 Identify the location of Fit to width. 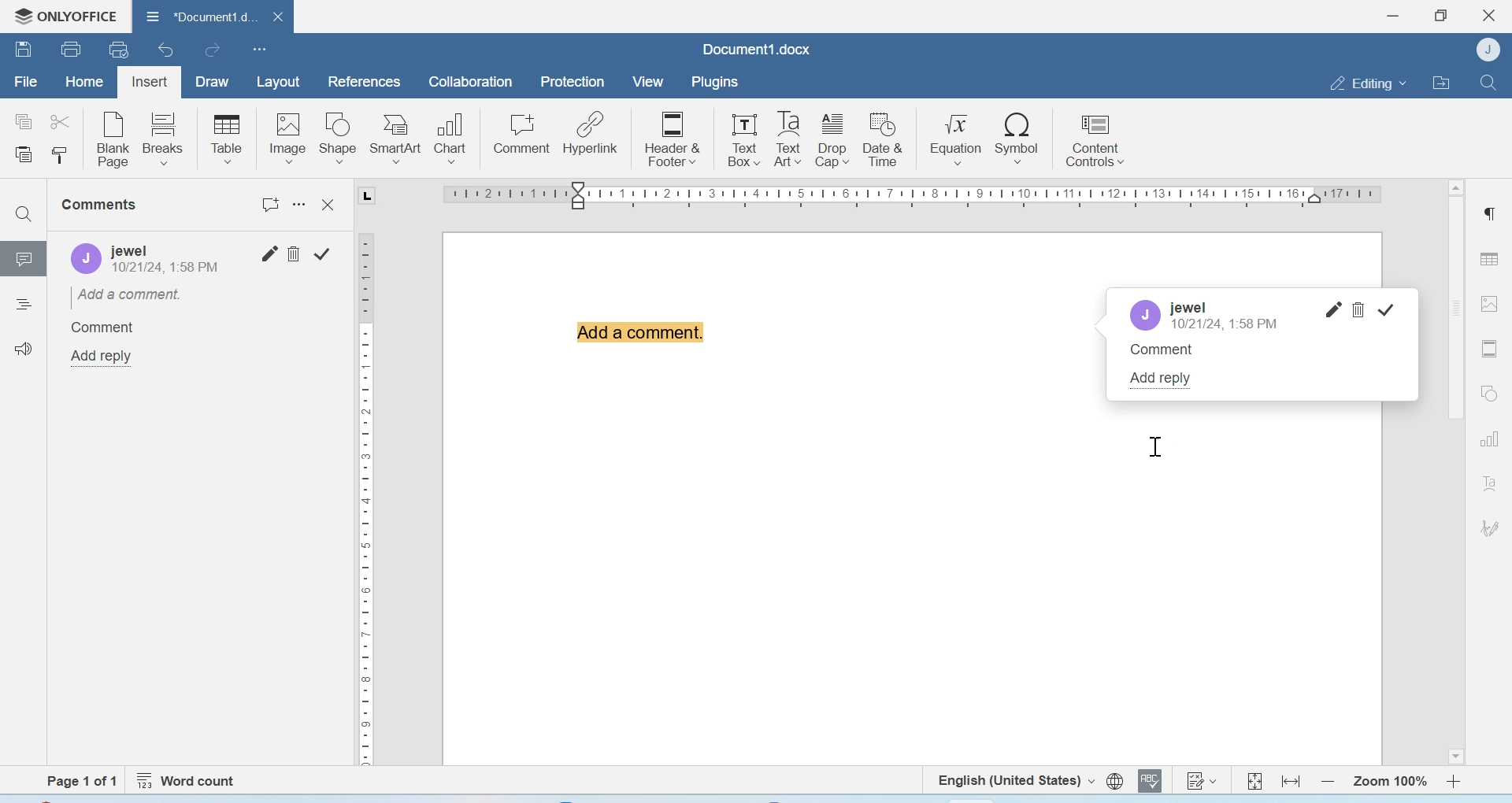
(1292, 781).